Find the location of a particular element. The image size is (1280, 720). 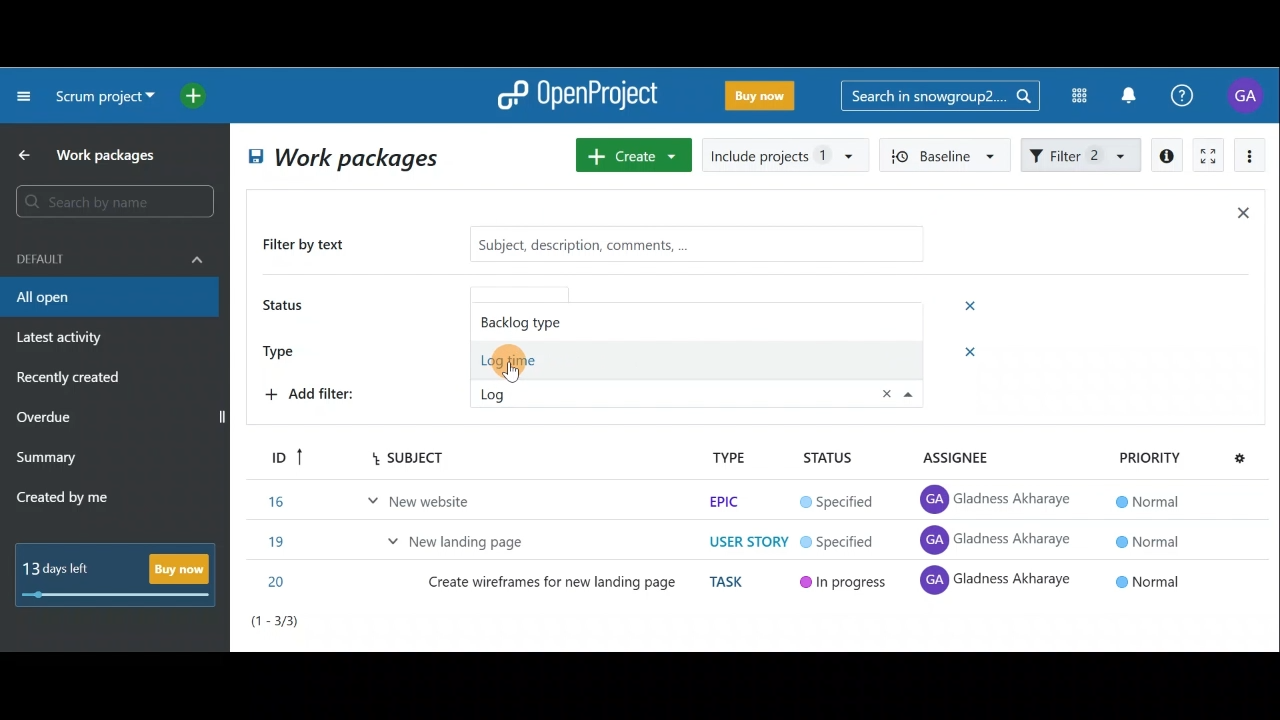

normal is located at coordinates (1146, 540).